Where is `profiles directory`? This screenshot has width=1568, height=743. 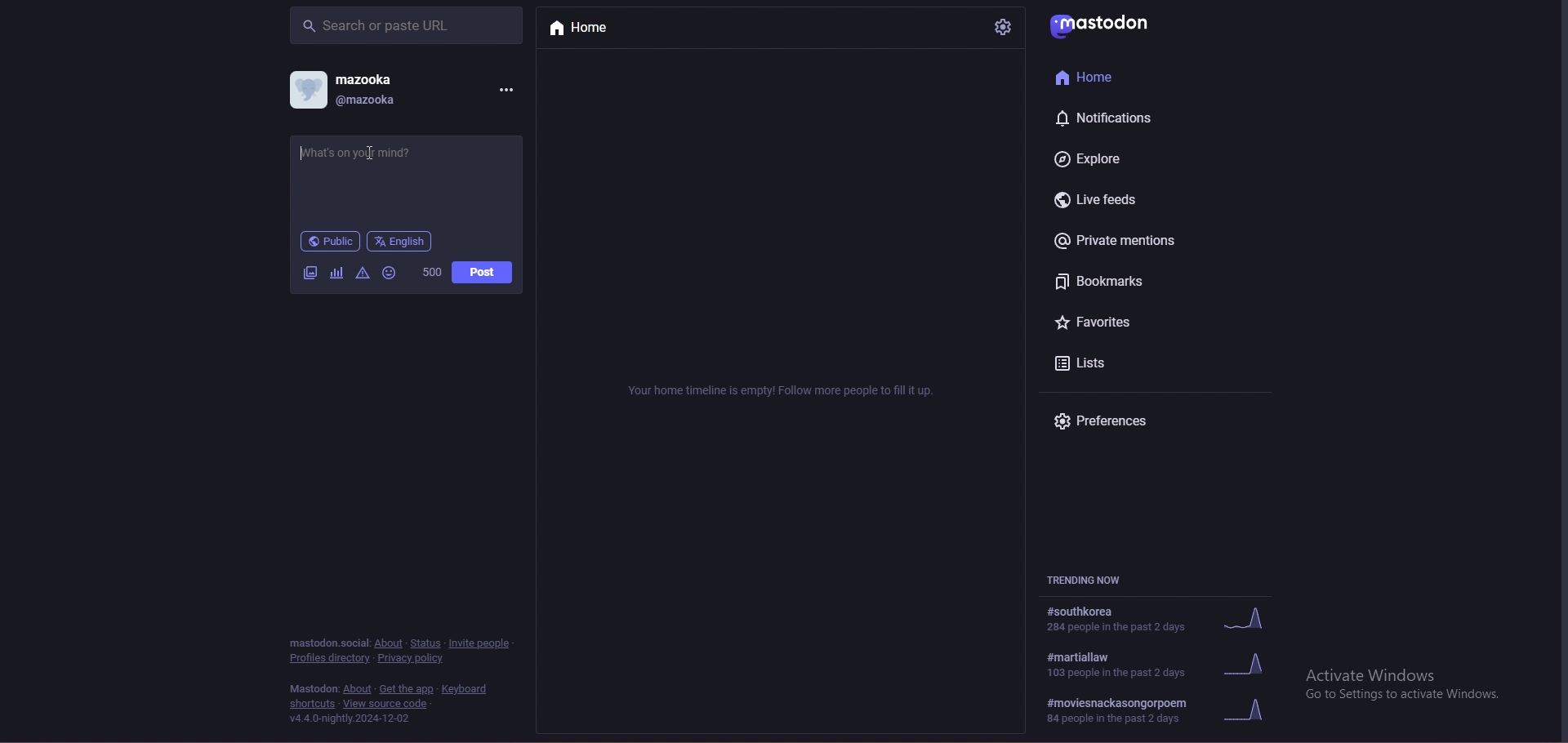
profiles directory is located at coordinates (329, 658).